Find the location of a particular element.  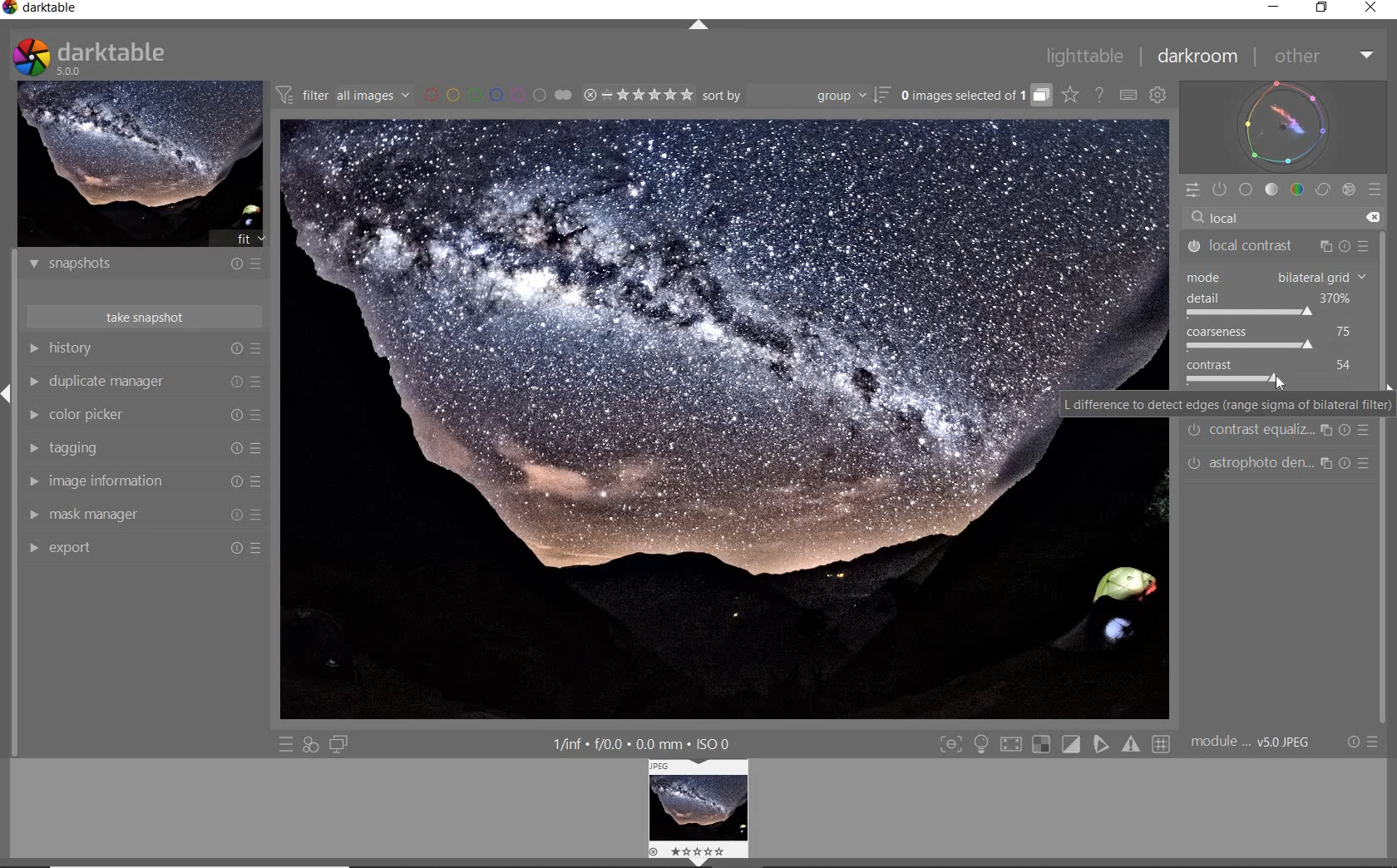

detail: 125% is located at coordinates (1268, 298).